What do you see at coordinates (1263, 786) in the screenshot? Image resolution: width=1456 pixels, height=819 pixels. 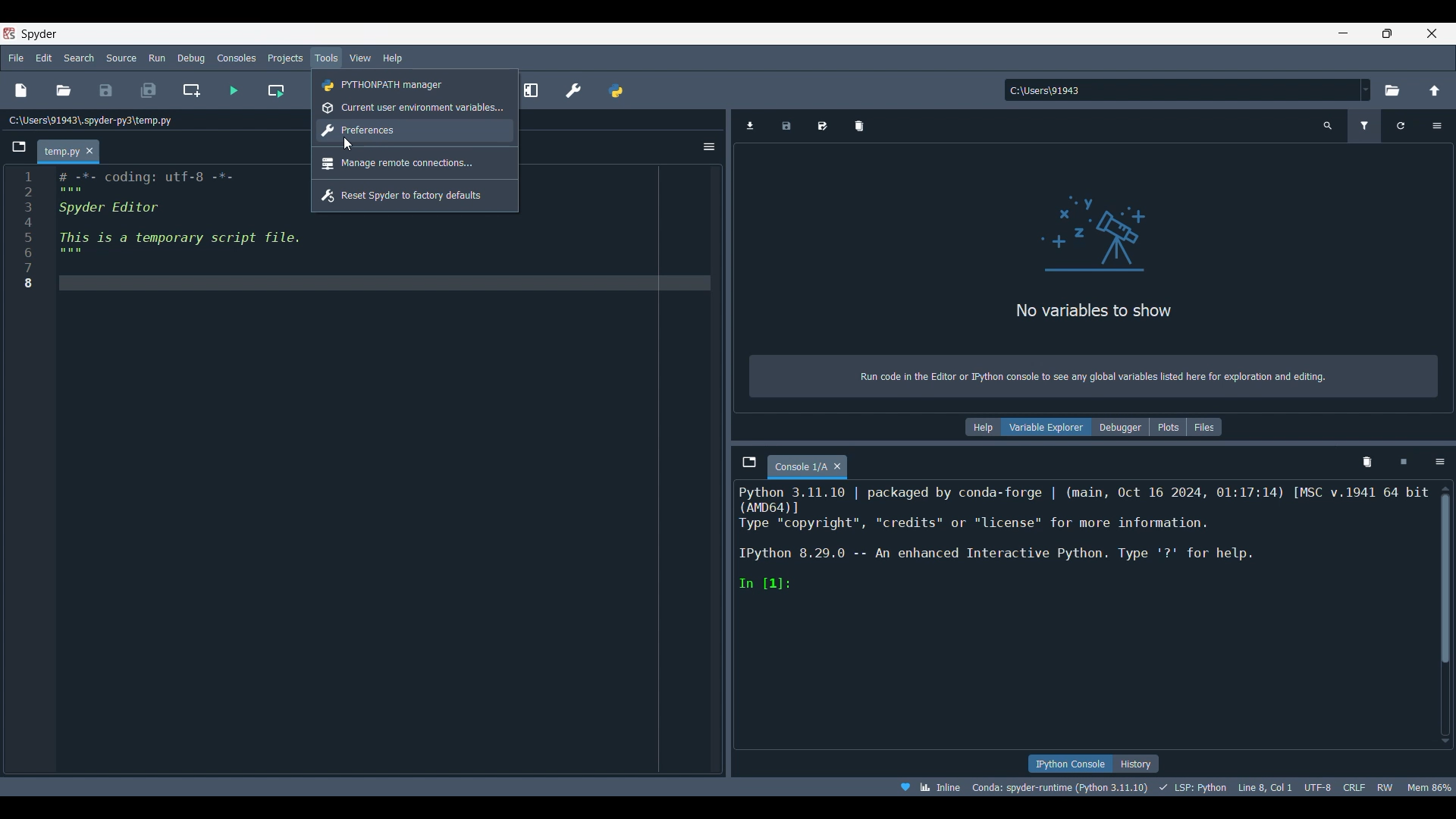 I see `cursor details` at bounding box center [1263, 786].